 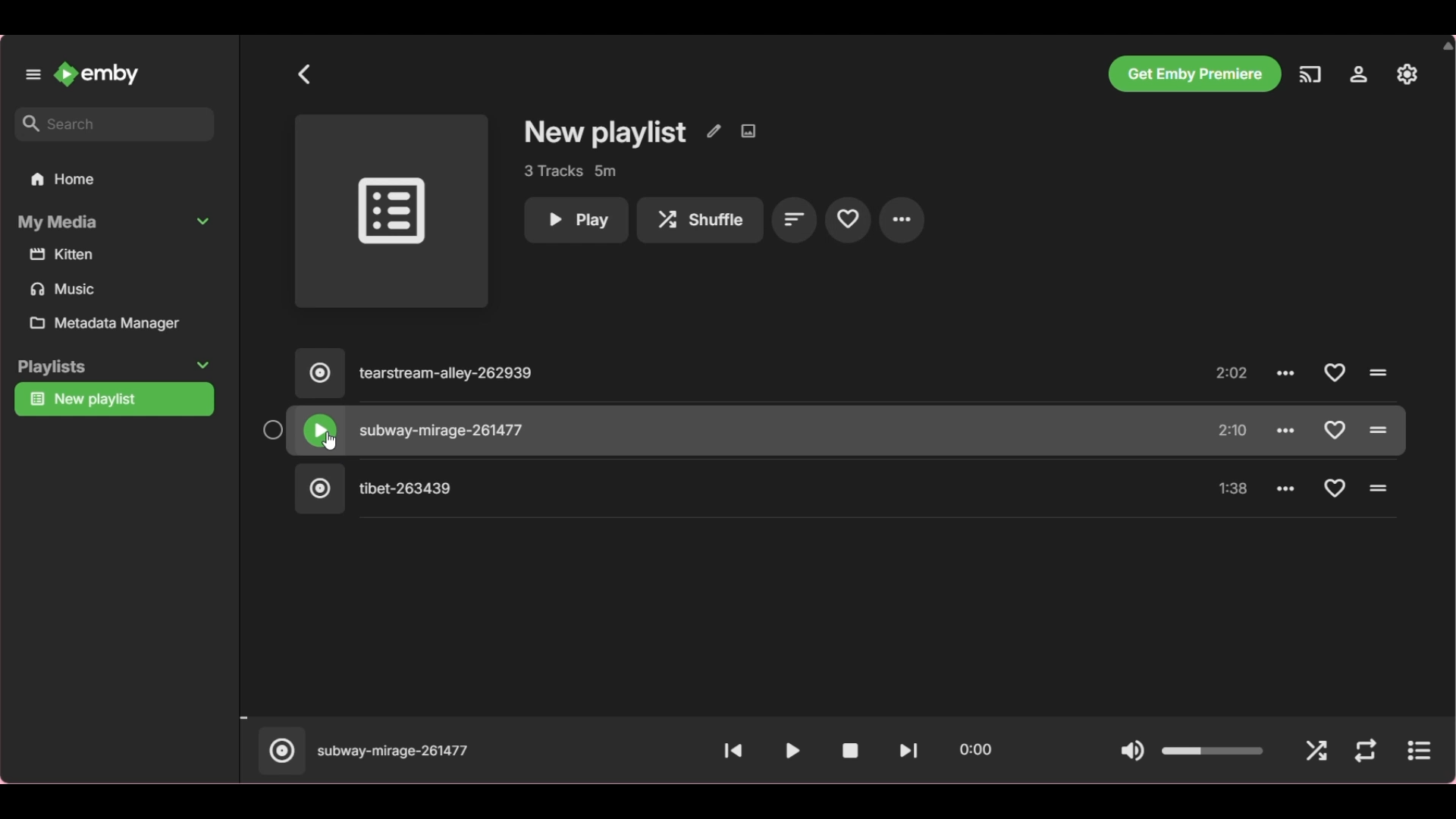 I want to click on Indicates duration of song completed, so click(x=843, y=718).